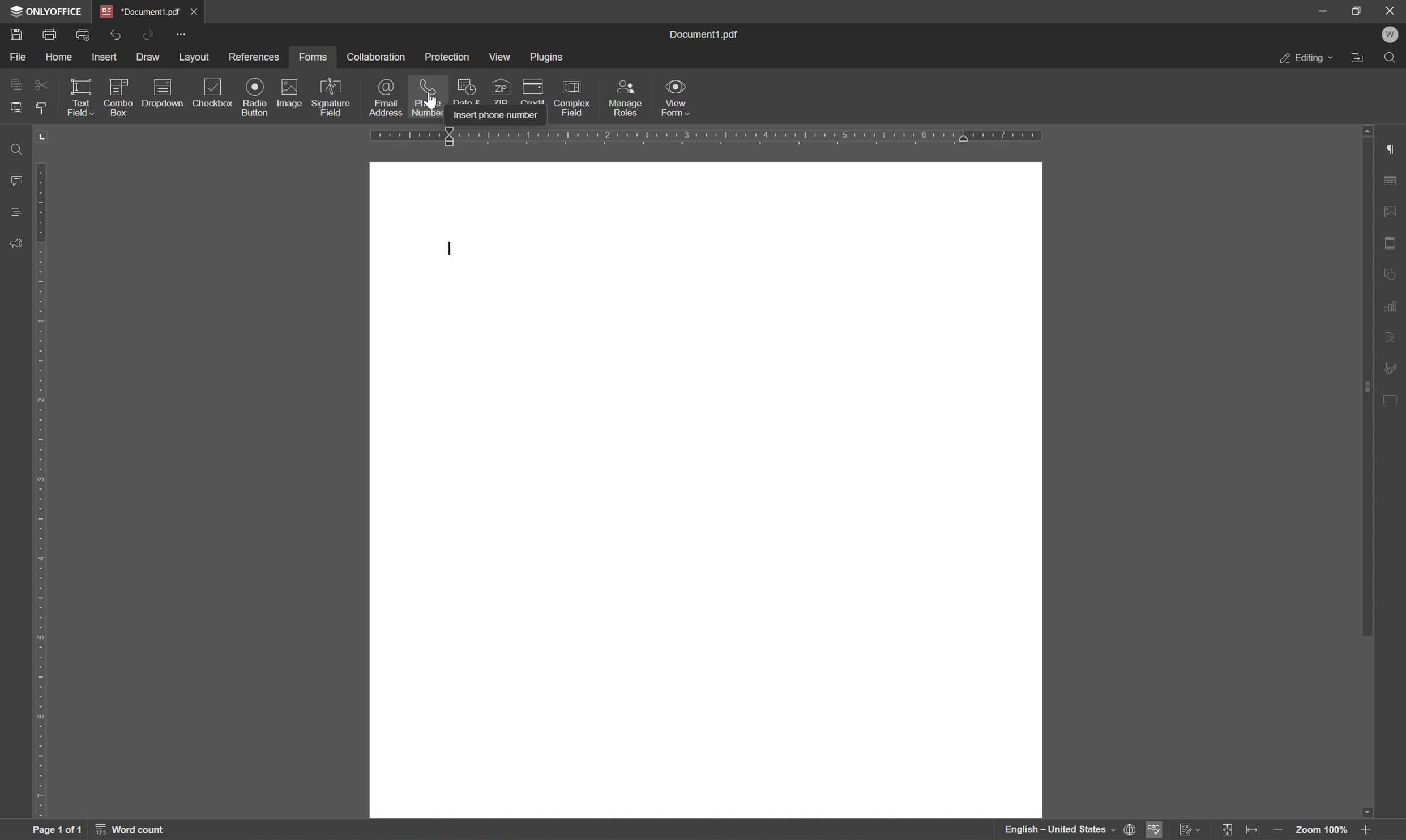  Describe the element at coordinates (332, 97) in the screenshot. I see `signature field` at that location.